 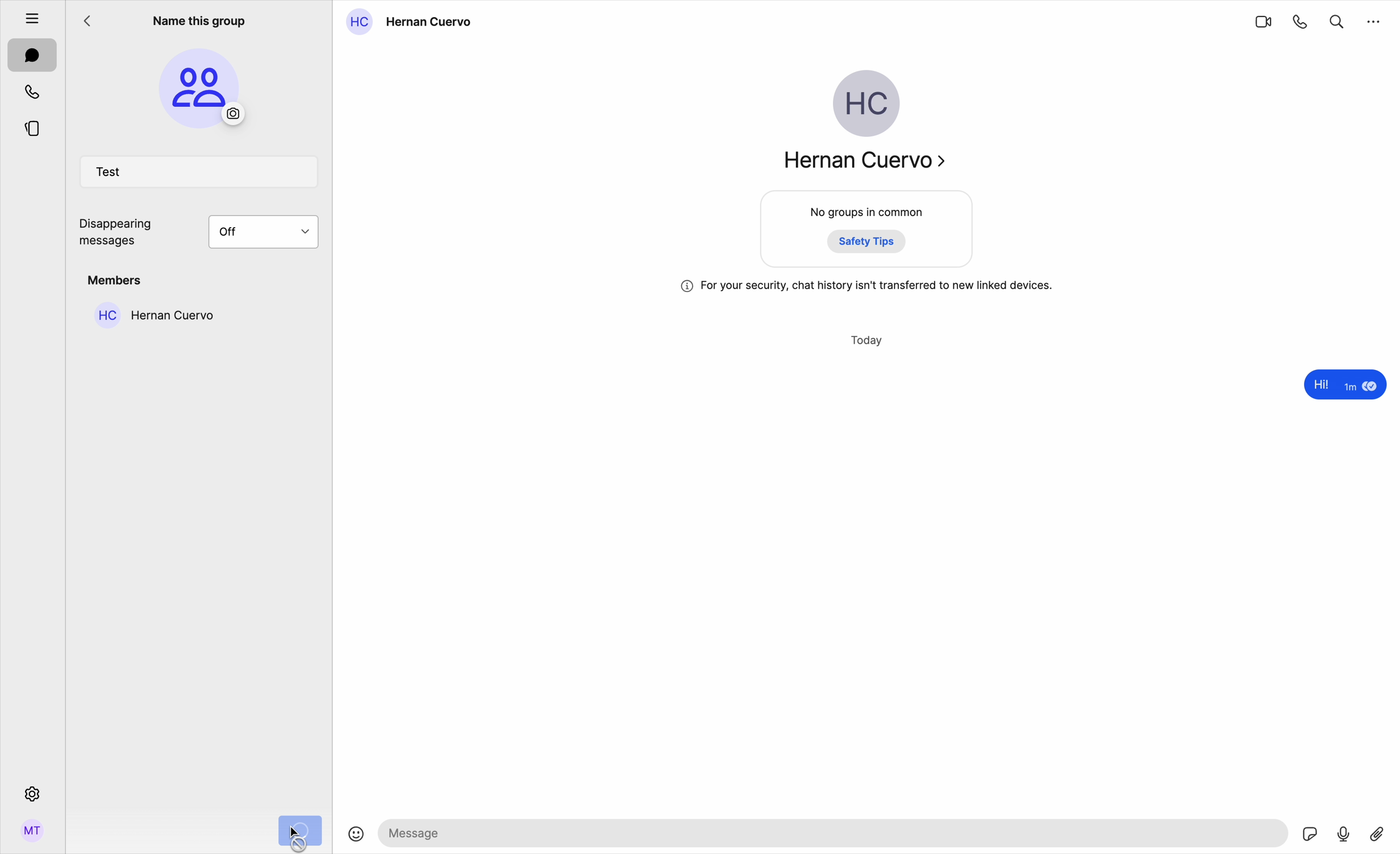 I want to click on search, so click(x=1337, y=19).